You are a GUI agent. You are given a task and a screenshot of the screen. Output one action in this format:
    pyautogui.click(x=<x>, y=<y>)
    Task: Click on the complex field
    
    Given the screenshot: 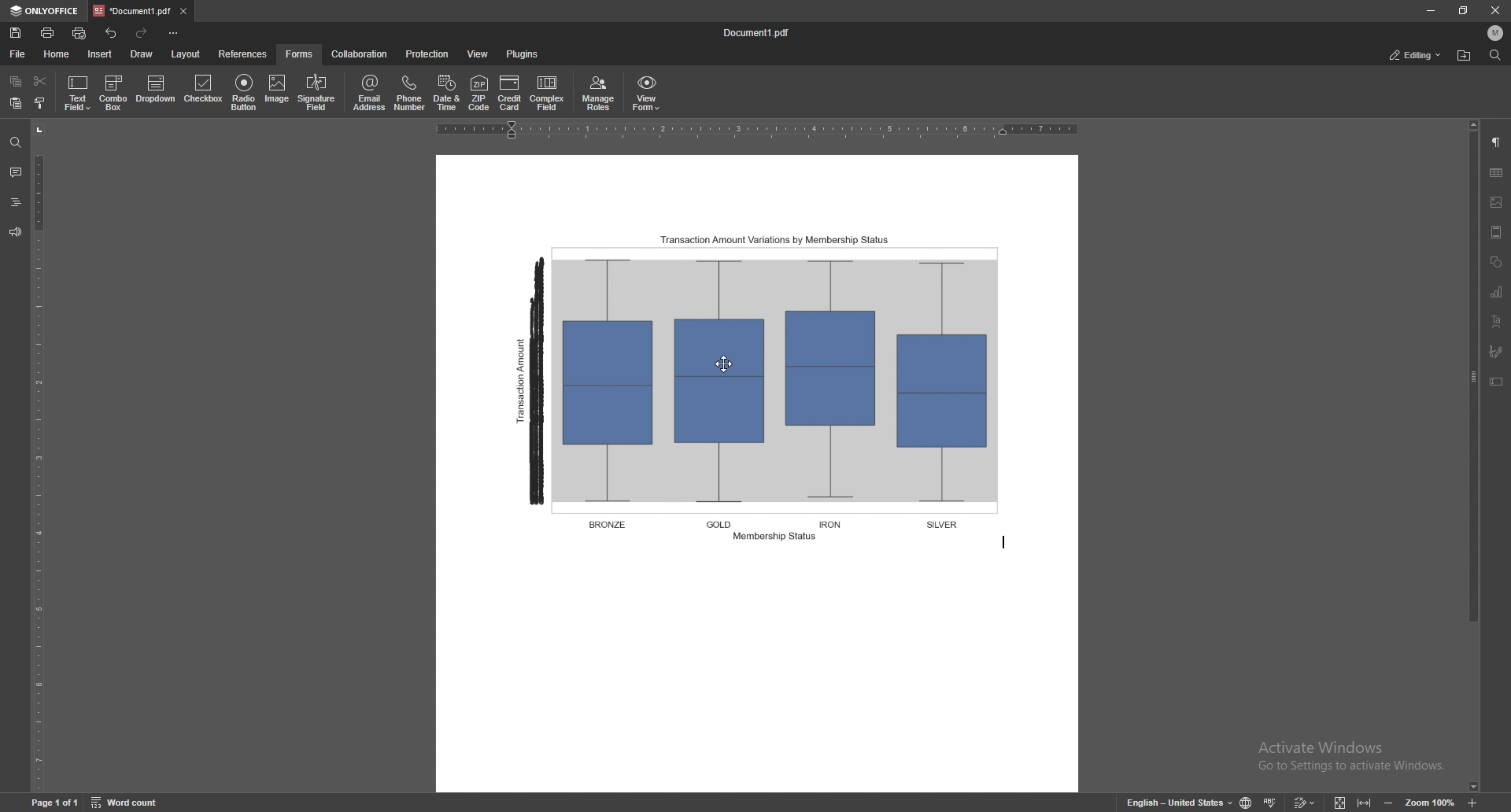 What is the action you would take?
    pyautogui.click(x=549, y=94)
    